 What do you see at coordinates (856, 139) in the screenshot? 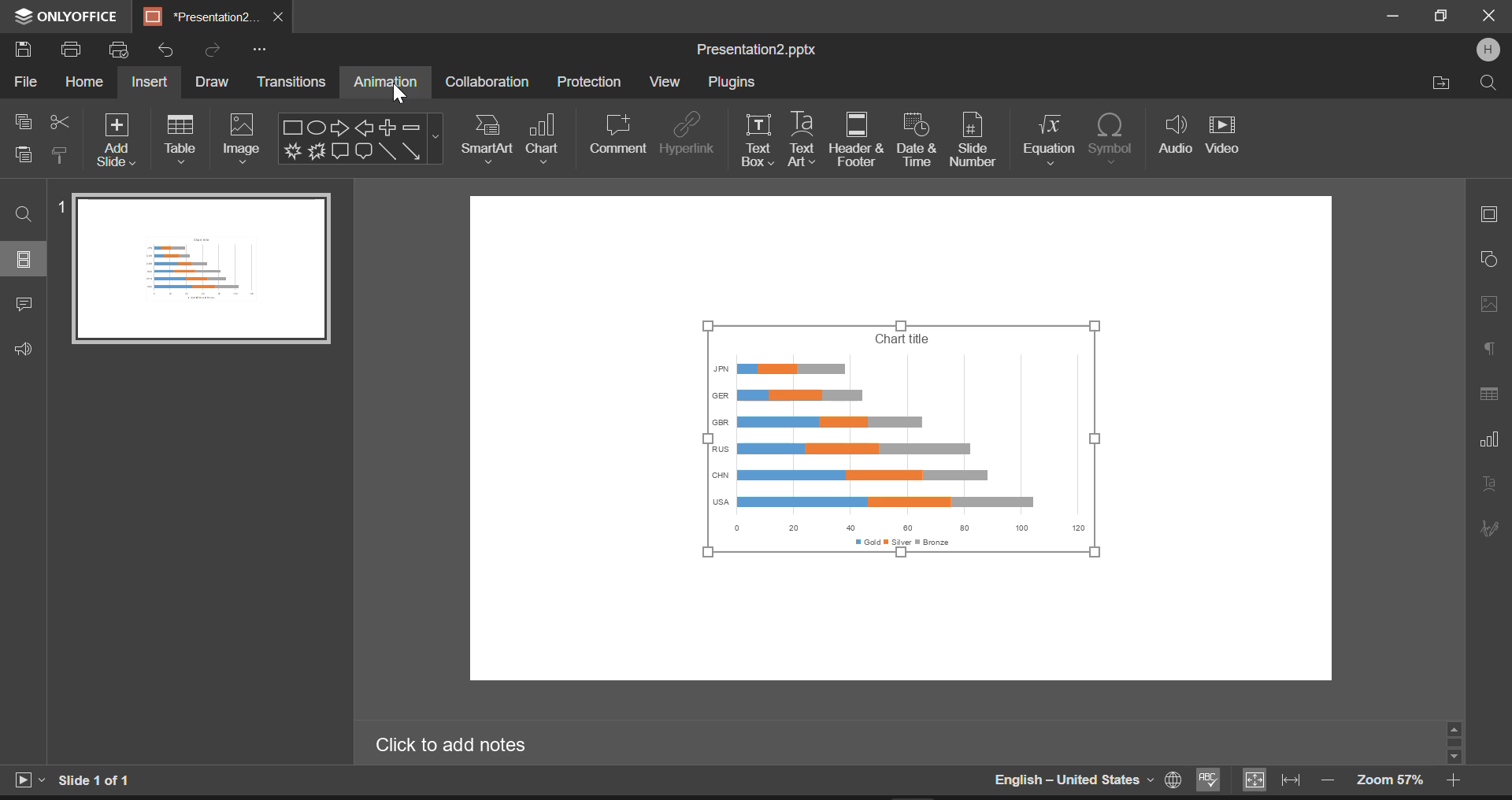
I see `Header & Footer` at bounding box center [856, 139].